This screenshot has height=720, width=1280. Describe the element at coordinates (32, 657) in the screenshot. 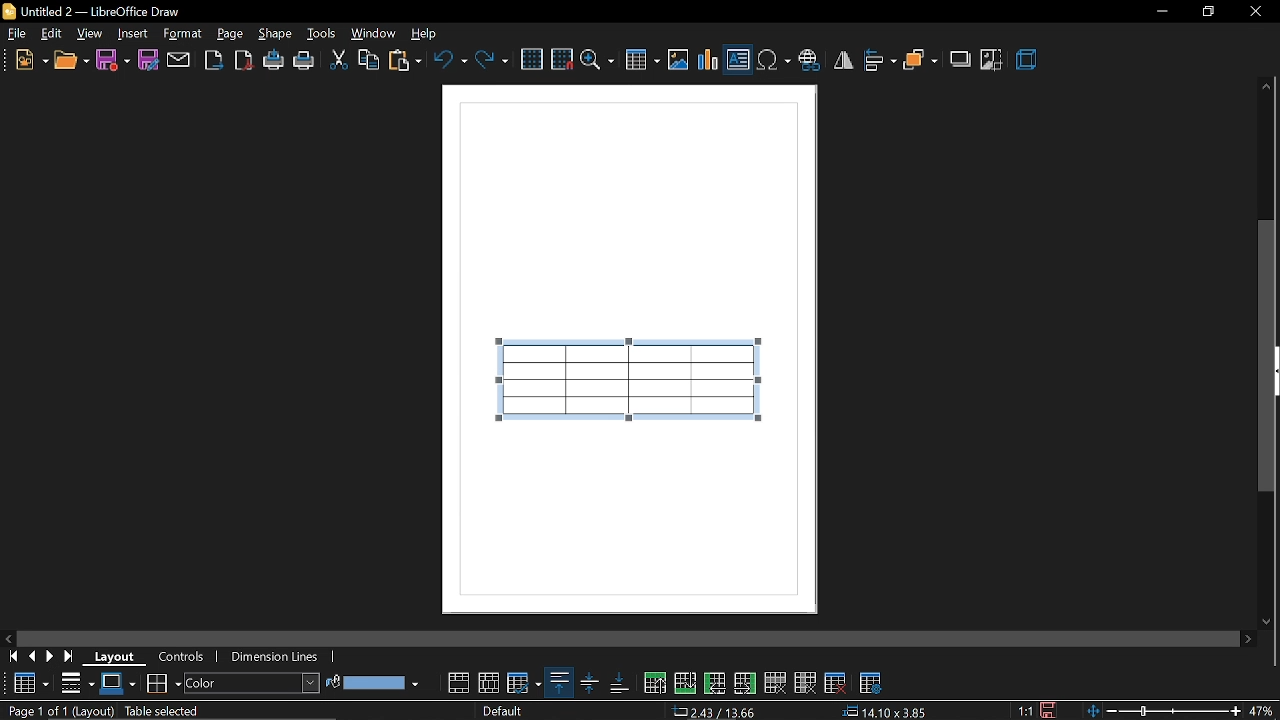

I see `previous page` at that location.